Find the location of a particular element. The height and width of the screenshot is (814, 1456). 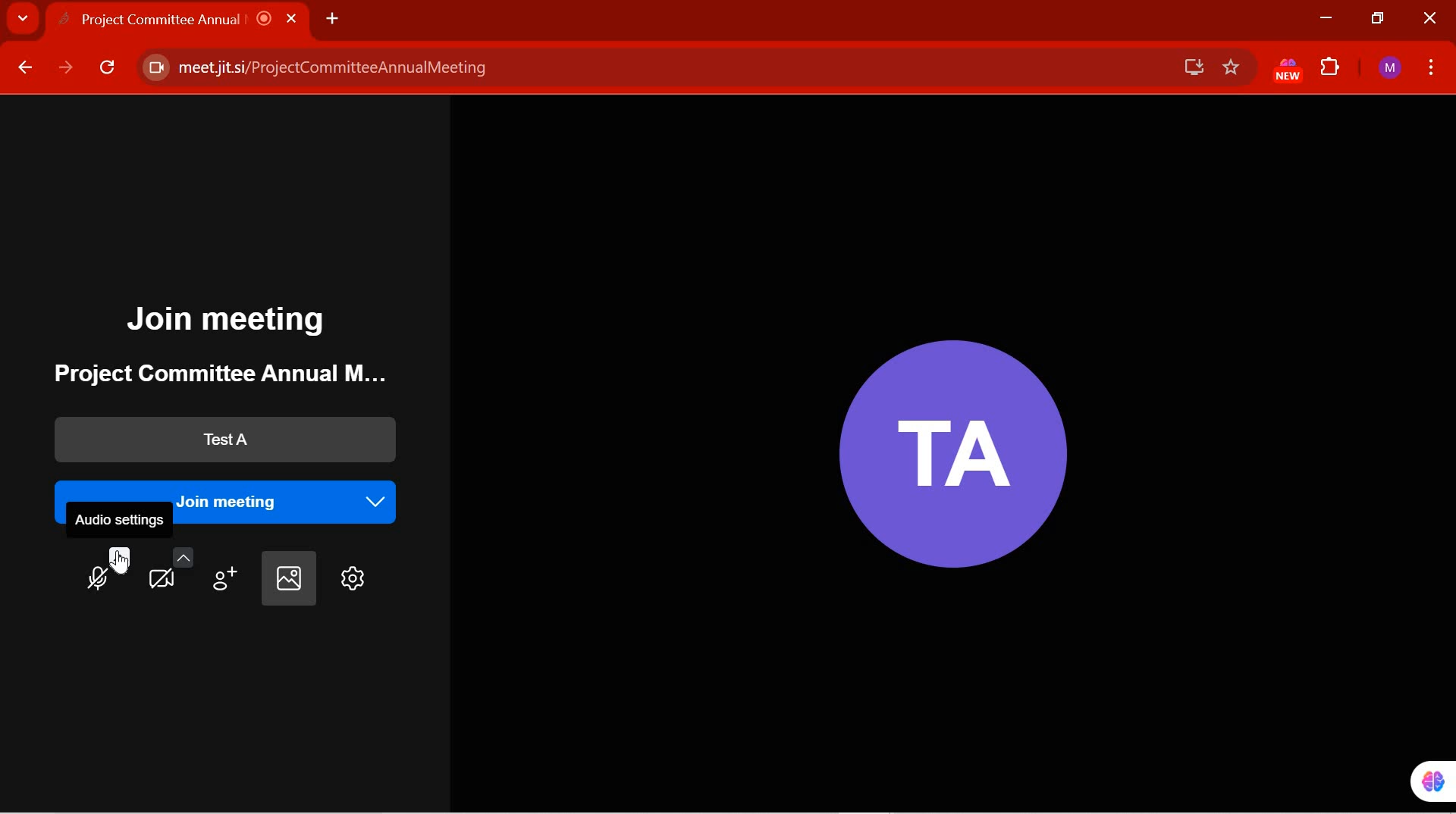

FORWARD is located at coordinates (66, 68).